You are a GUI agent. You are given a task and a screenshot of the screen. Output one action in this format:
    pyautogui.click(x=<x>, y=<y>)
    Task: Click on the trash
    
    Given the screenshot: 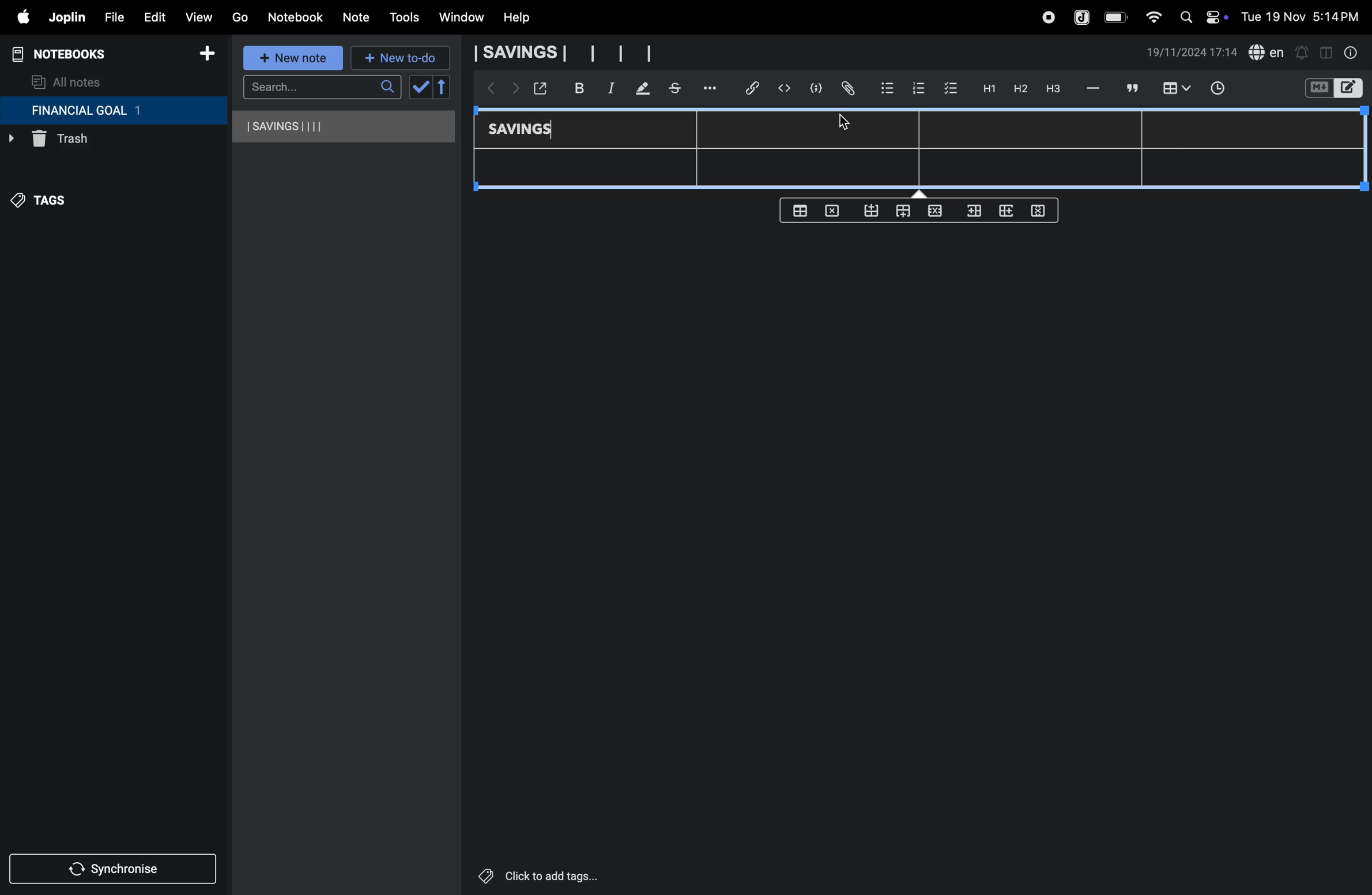 What is the action you would take?
    pyautogui.click(x=89, y=142)
    